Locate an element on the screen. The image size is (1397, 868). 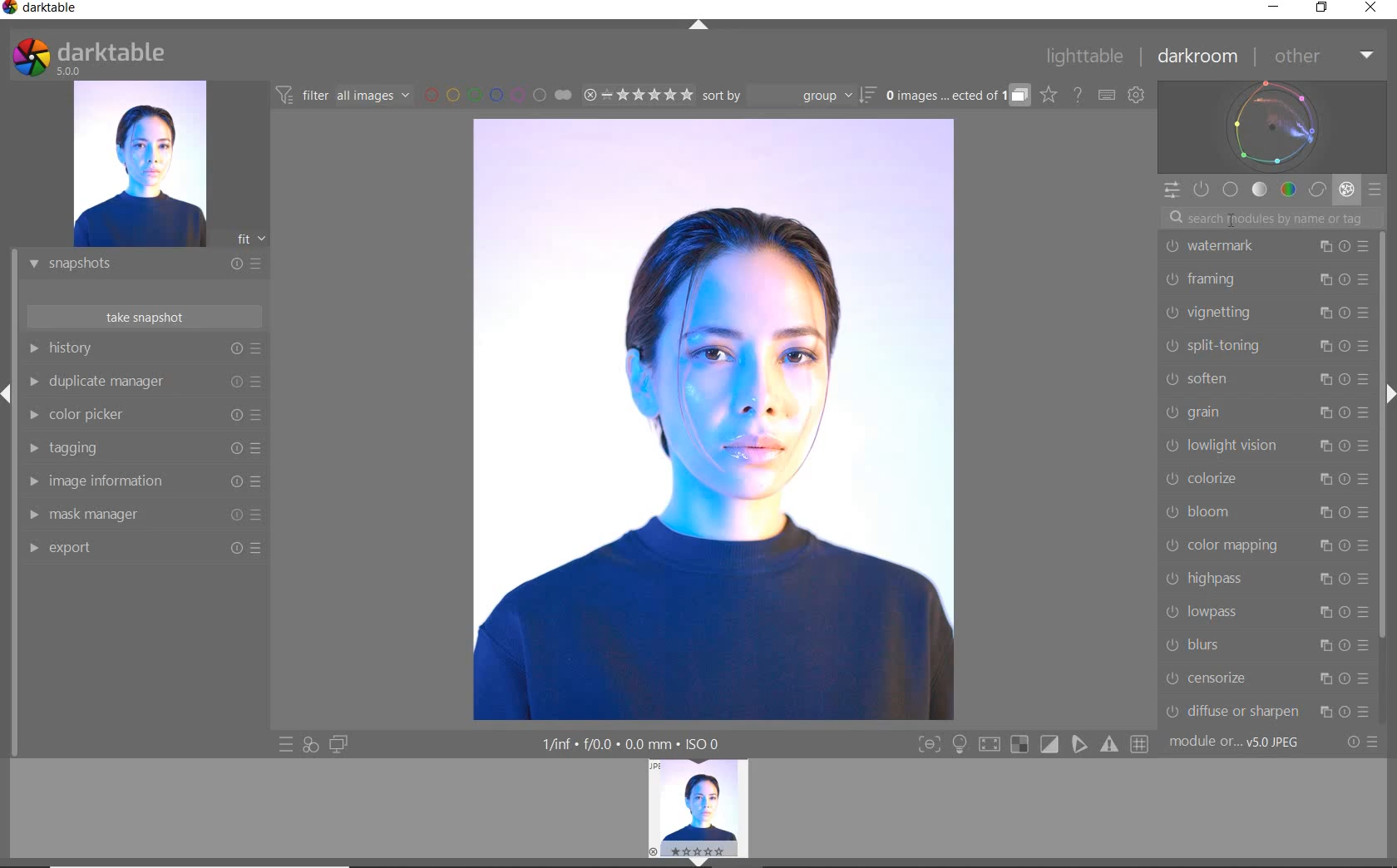
FRAMING is located at coordinates (1266, 279).